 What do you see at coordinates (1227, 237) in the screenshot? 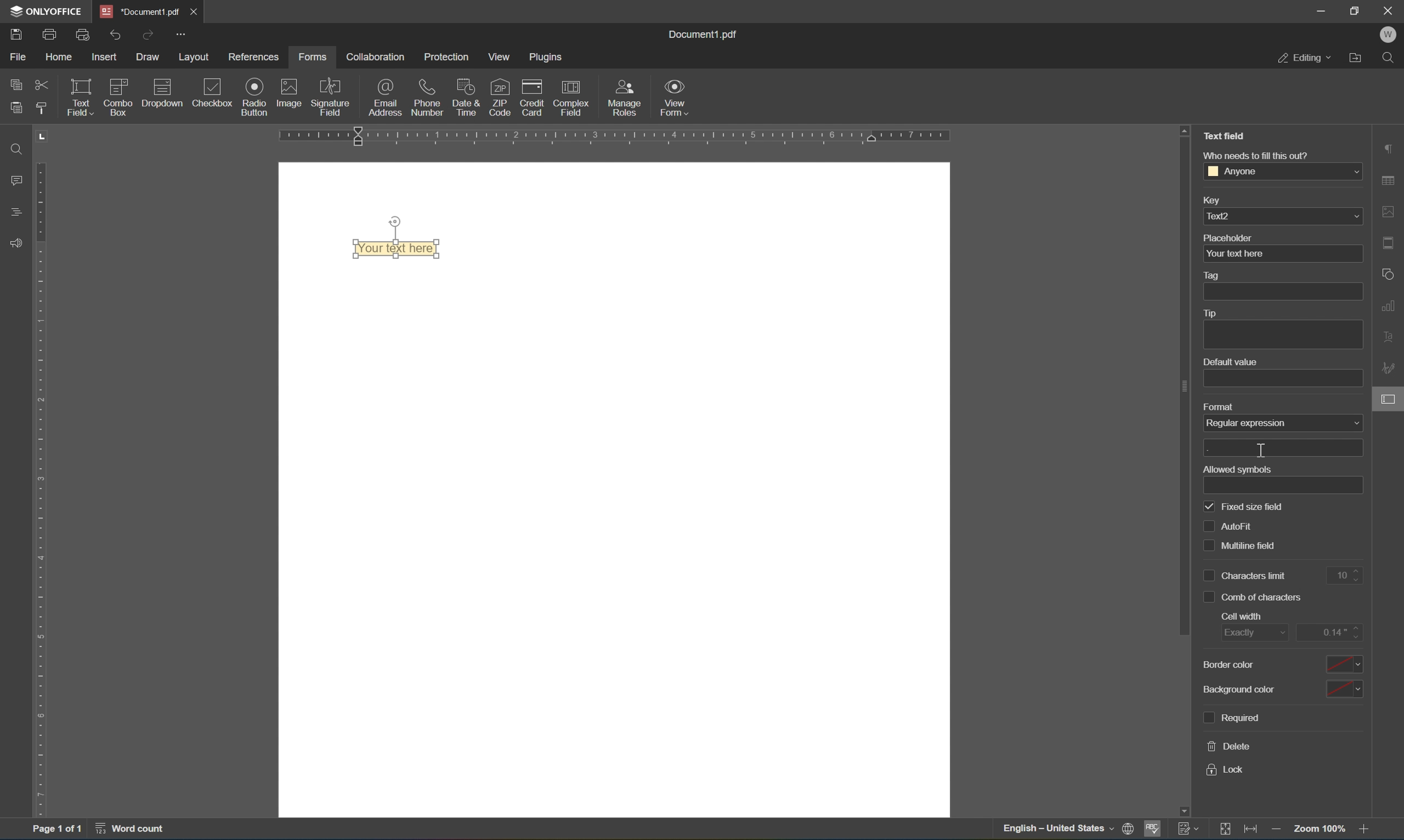
I see `placeholder` at bounding box center [1227, 237].